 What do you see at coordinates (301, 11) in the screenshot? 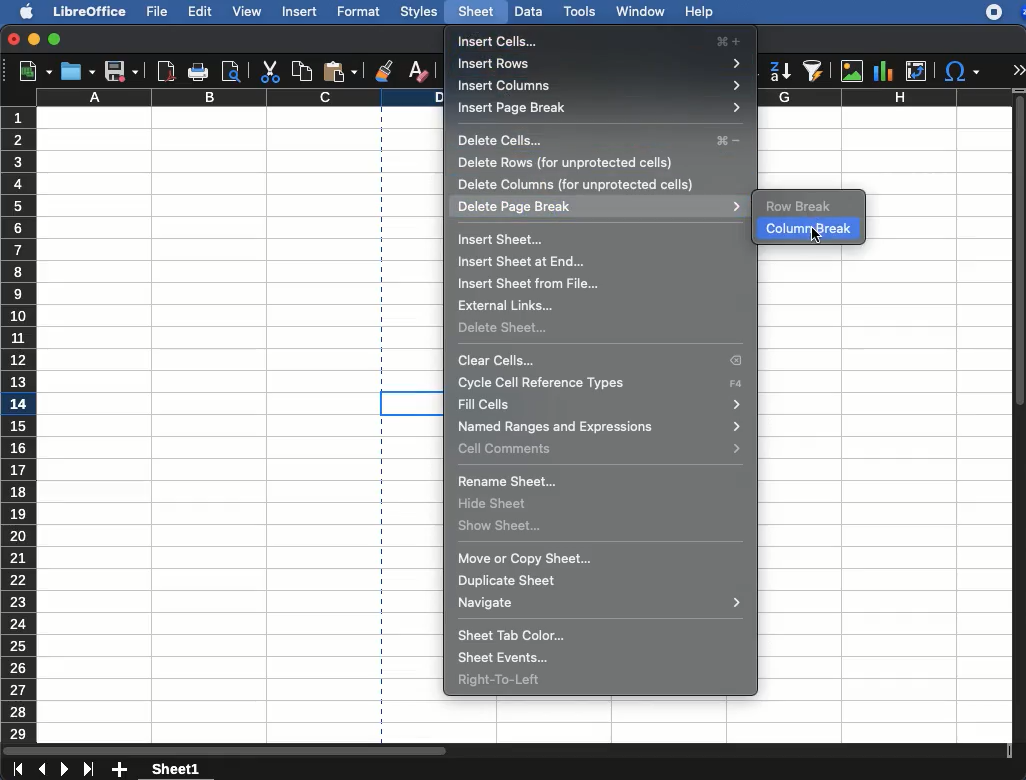
I see `insert` at bounding box center [301, 11].